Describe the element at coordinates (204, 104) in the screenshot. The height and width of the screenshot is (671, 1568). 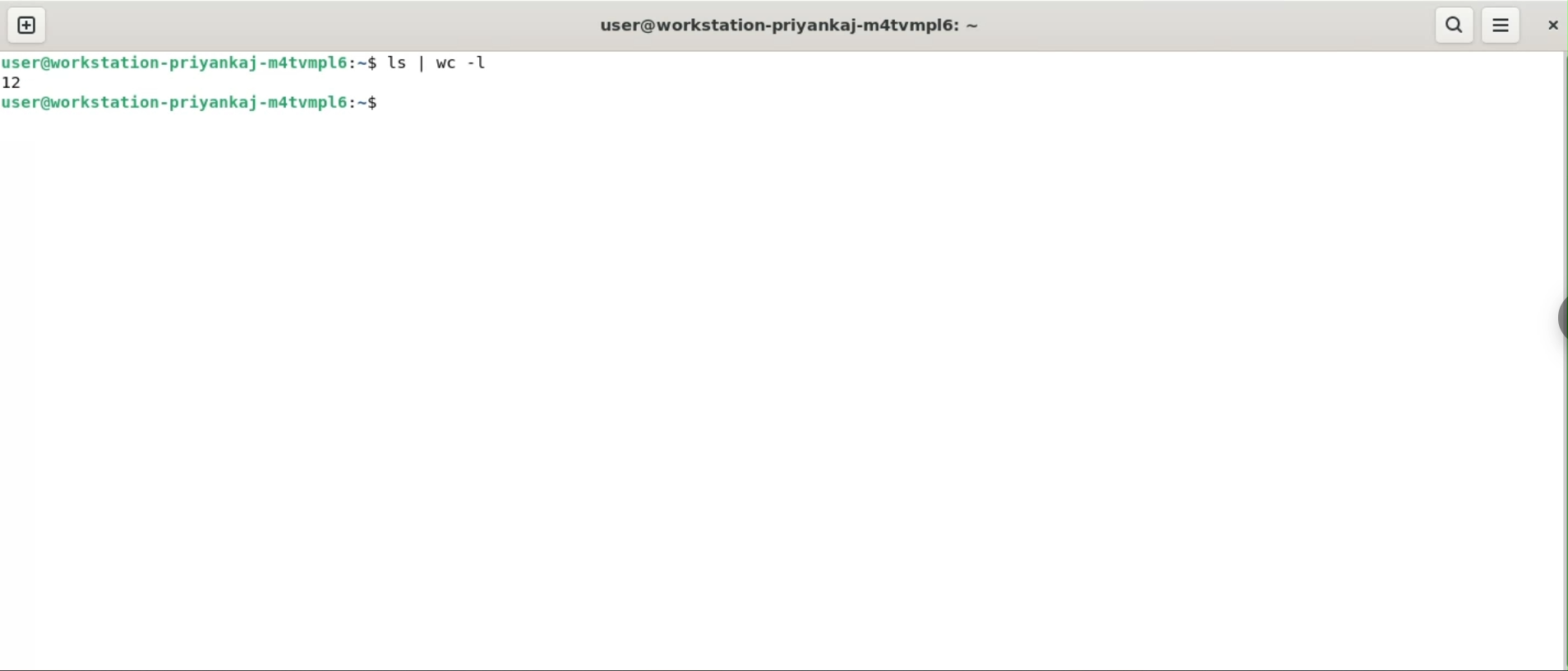
I see `user@workstation-priyankaj-m4tvmpl6: ~$` at that location.